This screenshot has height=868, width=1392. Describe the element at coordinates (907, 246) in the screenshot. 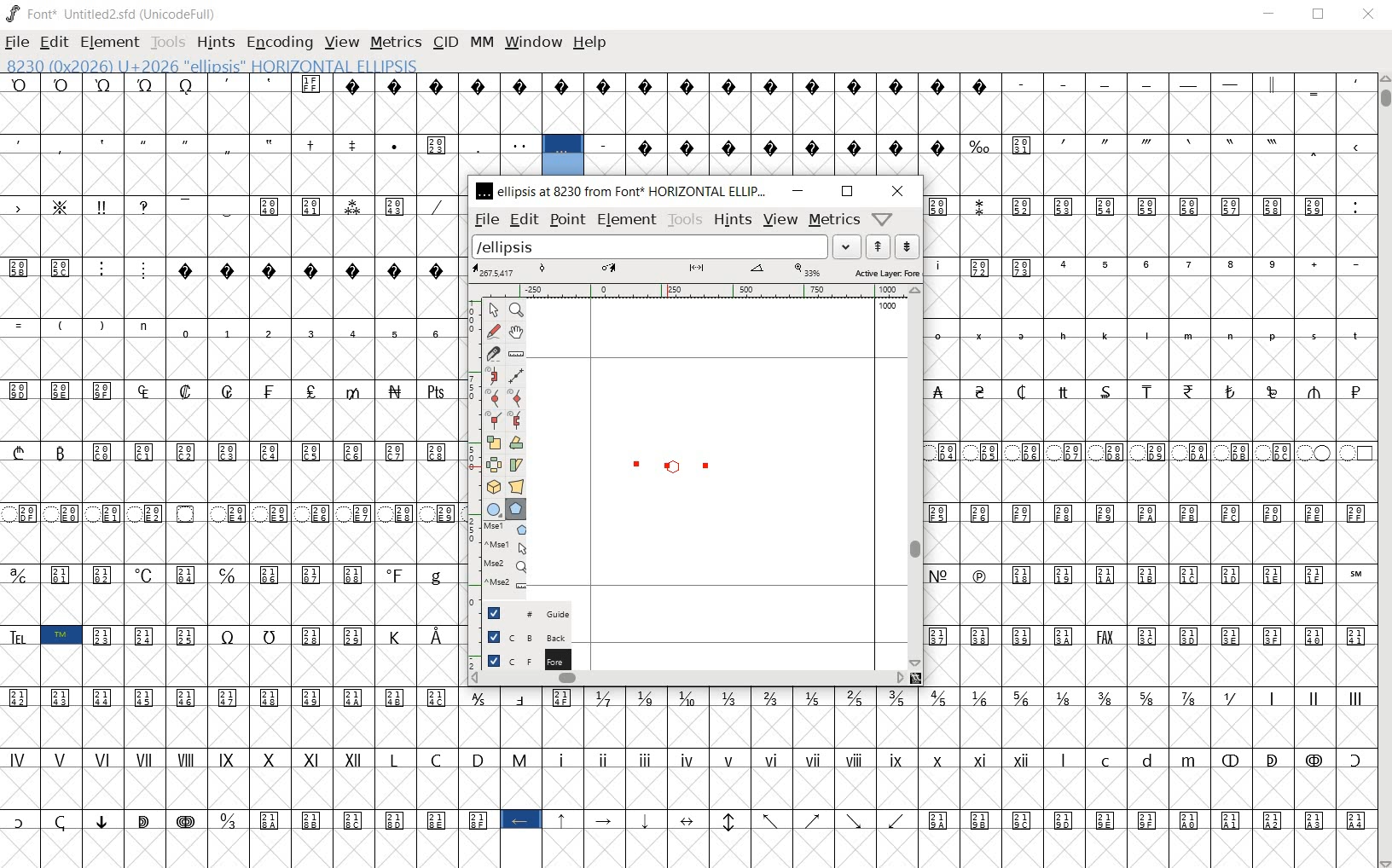

I see `show the previous word on the list` at that location.